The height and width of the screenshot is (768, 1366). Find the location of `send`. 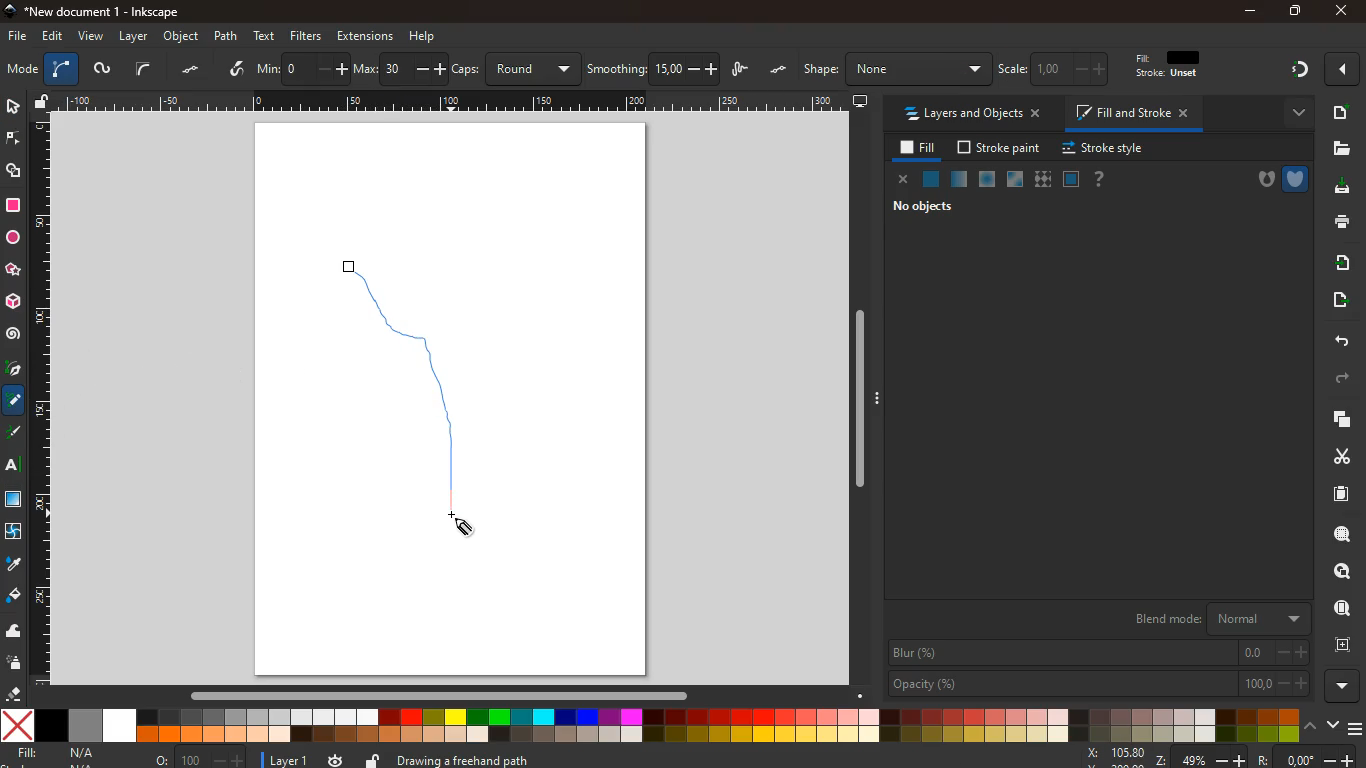

send is located at coordinates (1343, 302).